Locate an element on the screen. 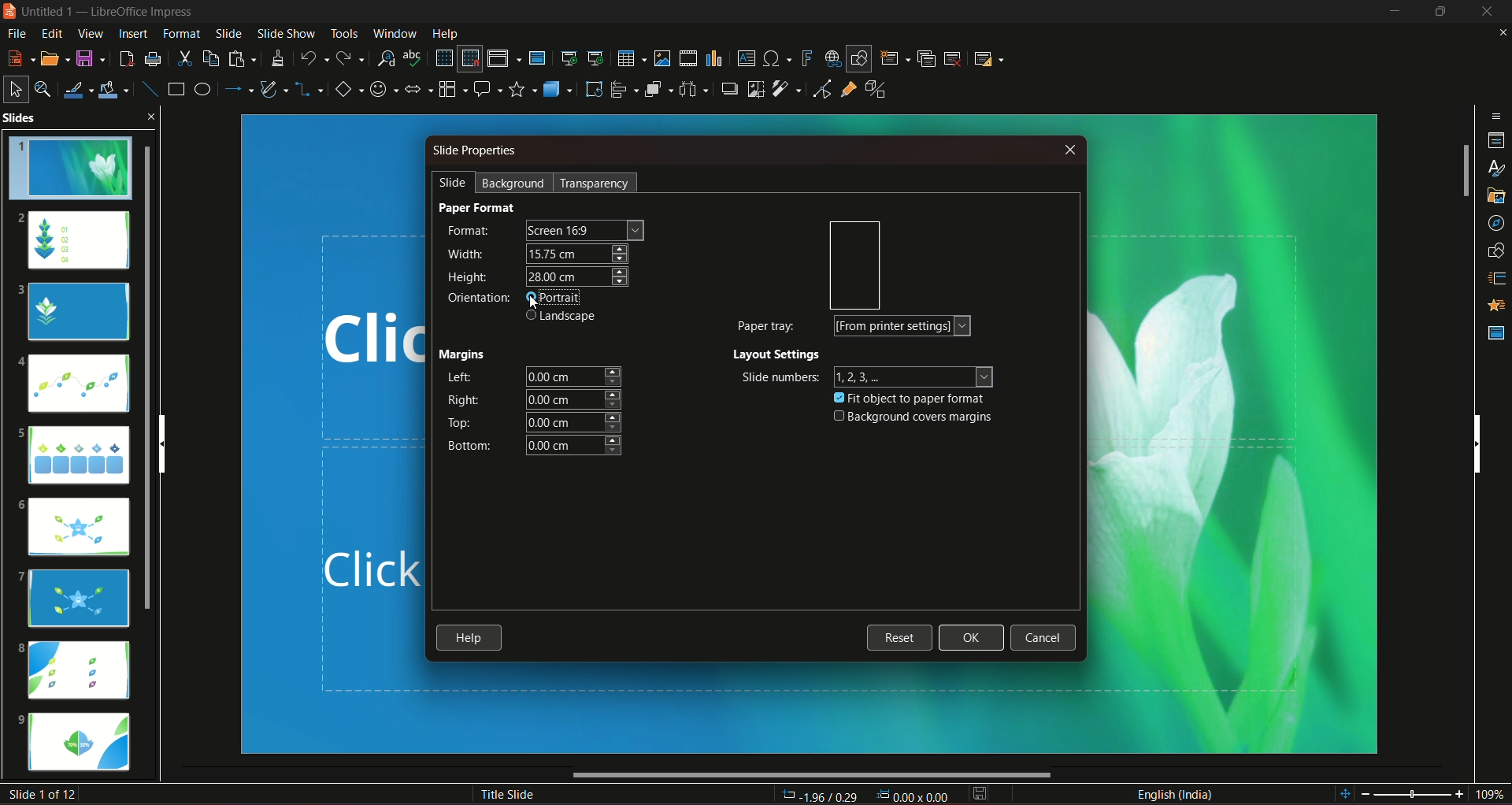  top is located at coordinates (461, 423).